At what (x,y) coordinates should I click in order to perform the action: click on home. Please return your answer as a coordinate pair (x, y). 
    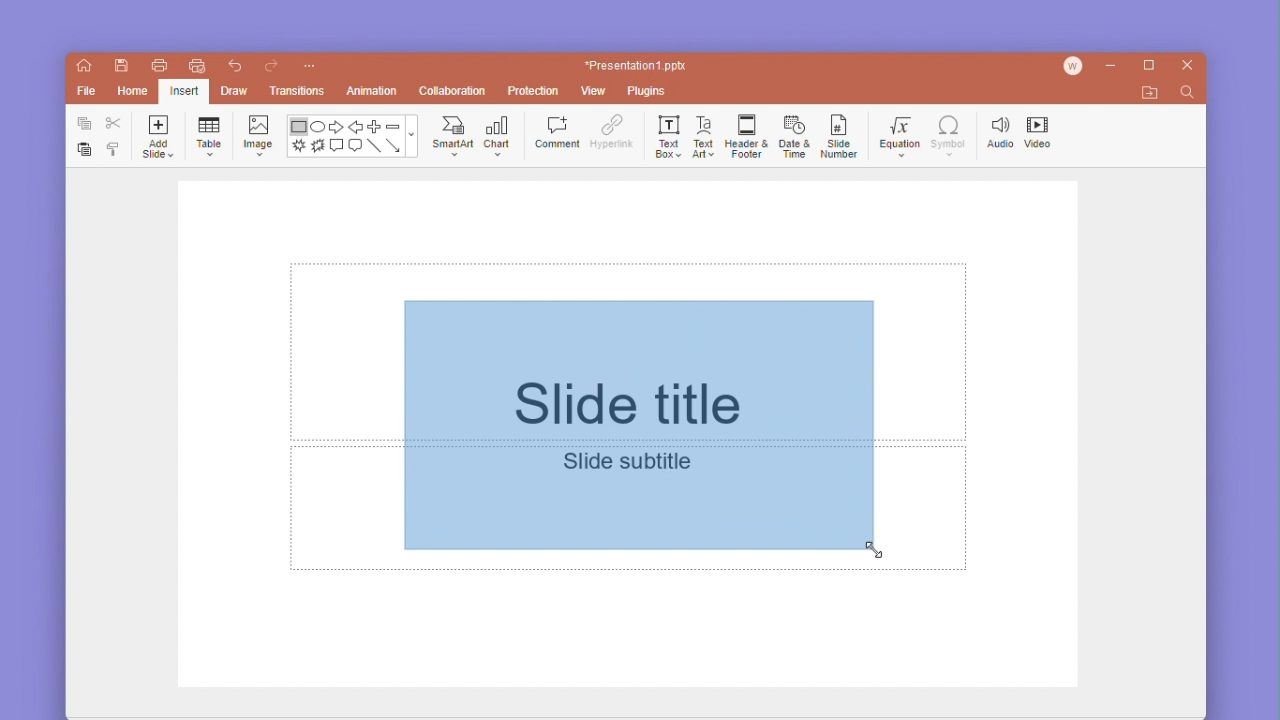
    Looking at the image, I should click on (129, 93).